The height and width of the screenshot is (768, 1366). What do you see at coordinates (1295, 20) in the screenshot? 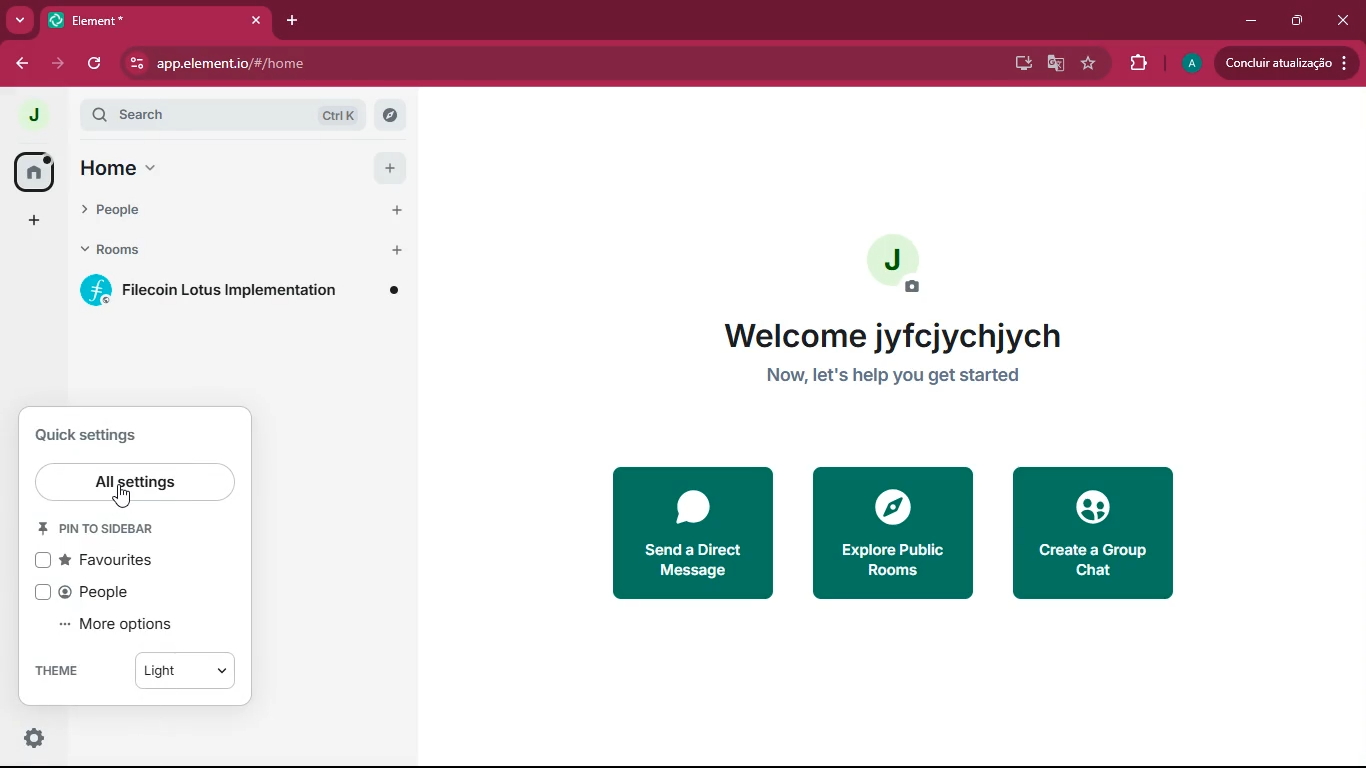
I see `restore down` at bounding box center [1295, 20].